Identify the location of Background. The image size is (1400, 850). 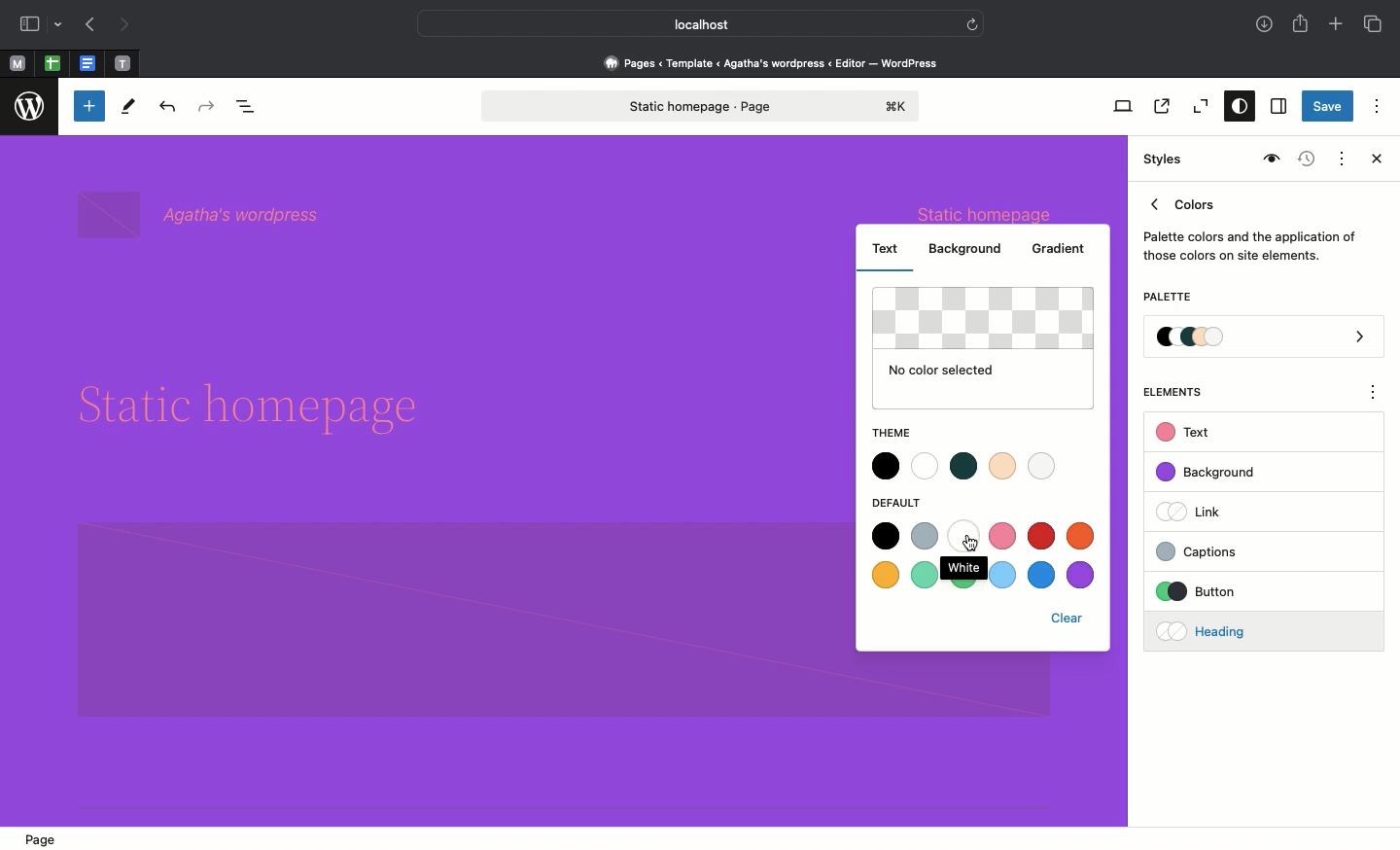
(969, 248).